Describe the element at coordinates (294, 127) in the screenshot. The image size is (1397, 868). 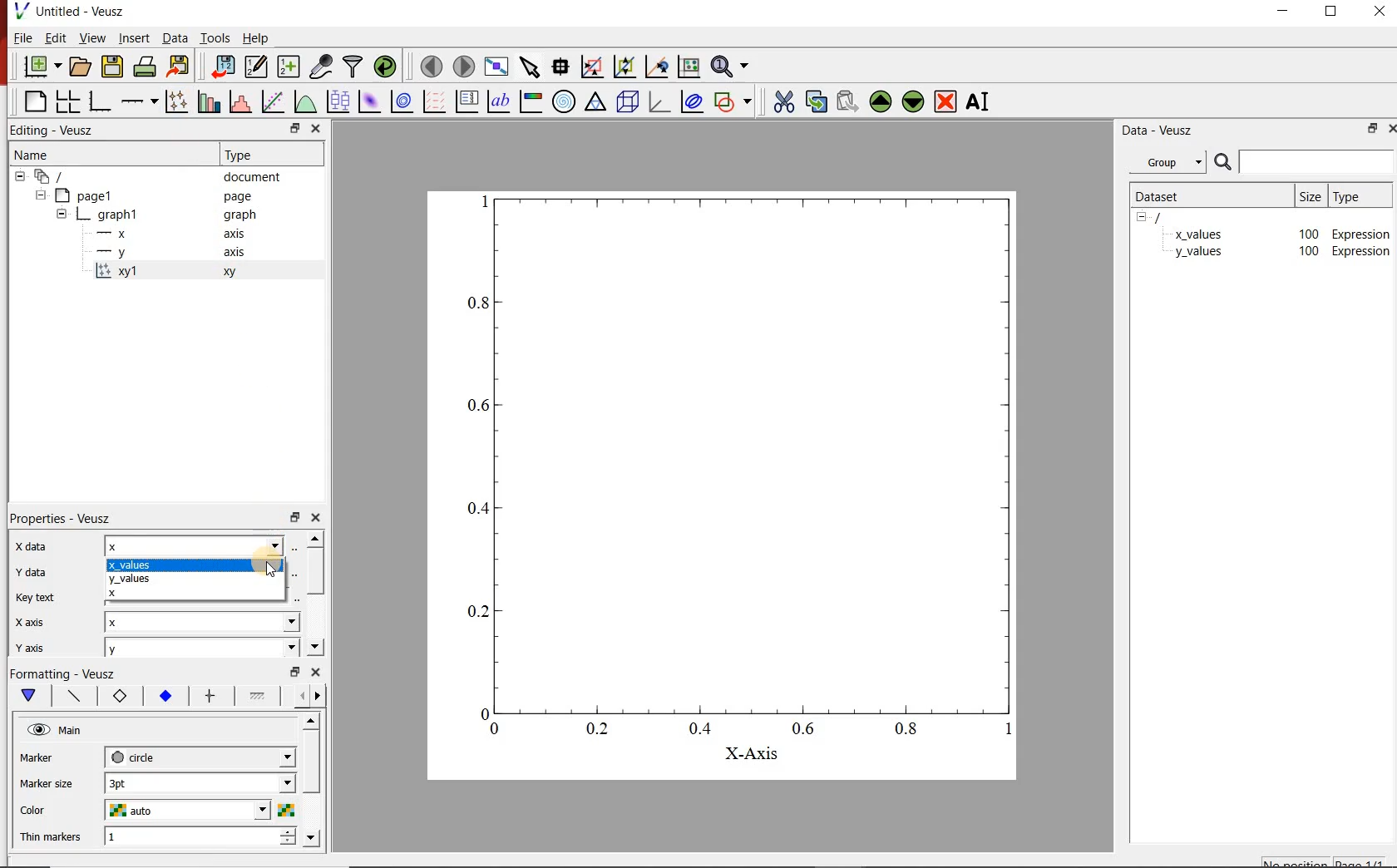
I see `restore down` at that location.